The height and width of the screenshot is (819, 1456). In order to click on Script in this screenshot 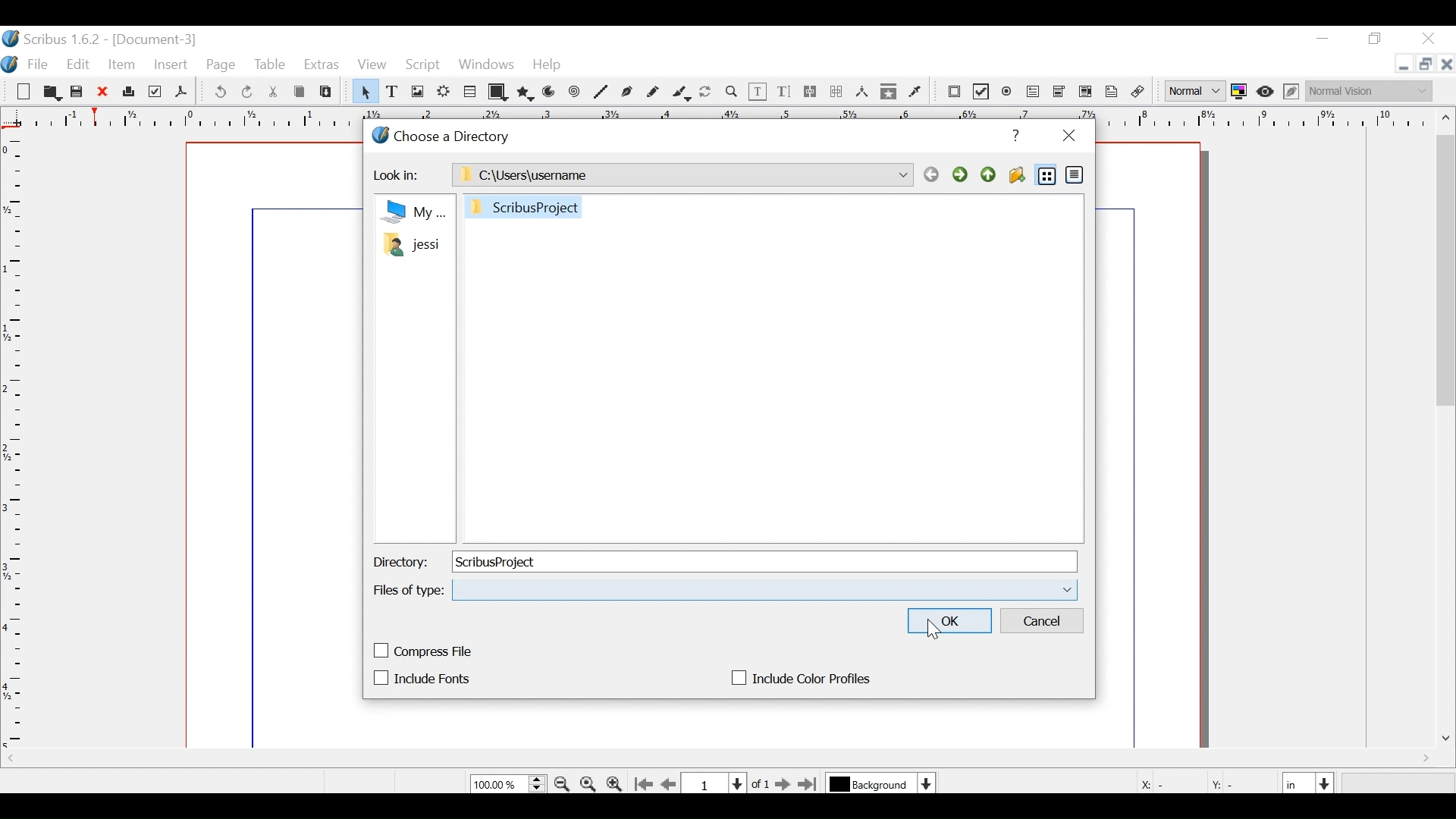, I will do `click(424, 67)`.